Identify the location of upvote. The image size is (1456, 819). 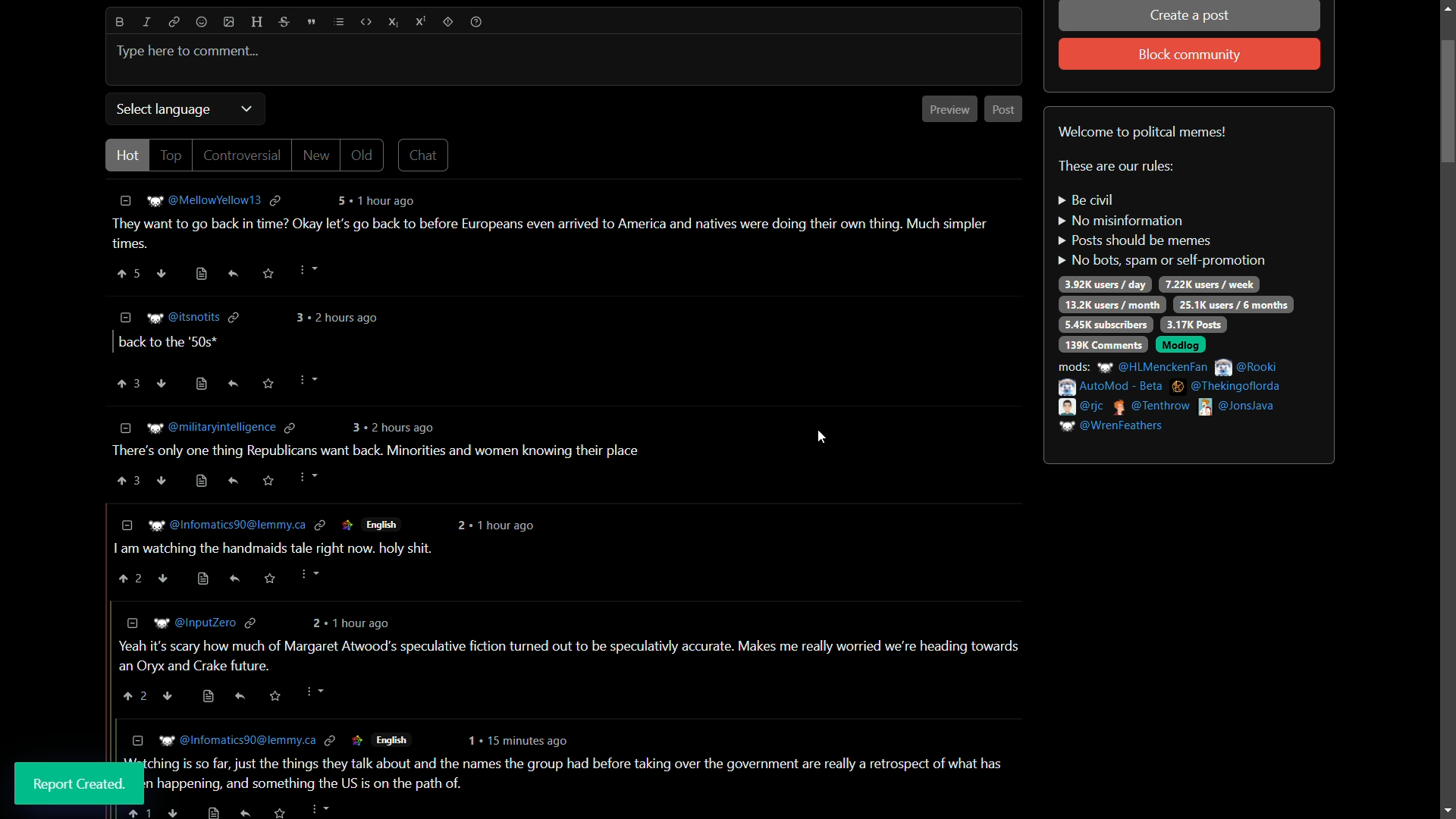
(128, 382).